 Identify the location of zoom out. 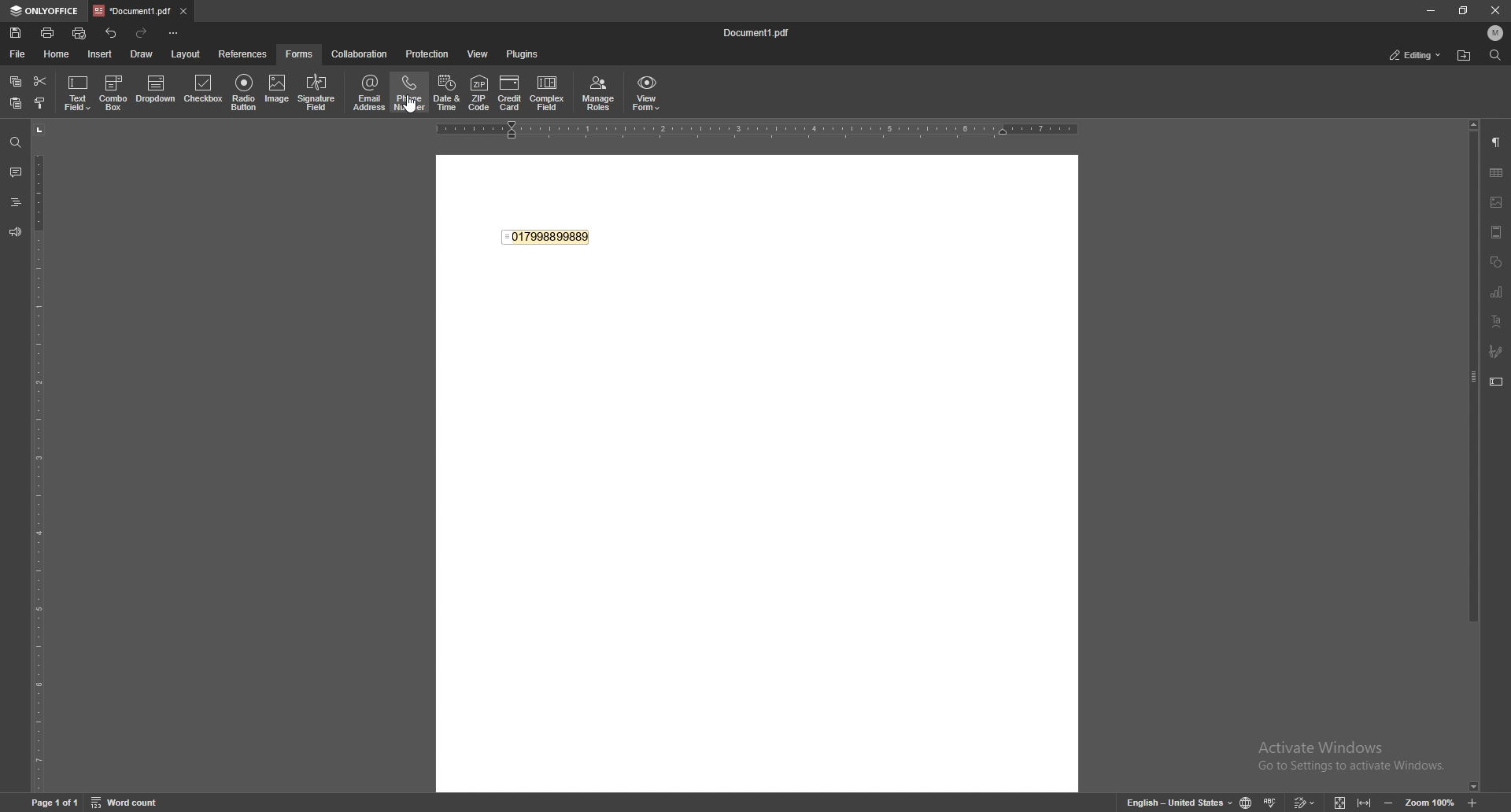
(1389, 803).